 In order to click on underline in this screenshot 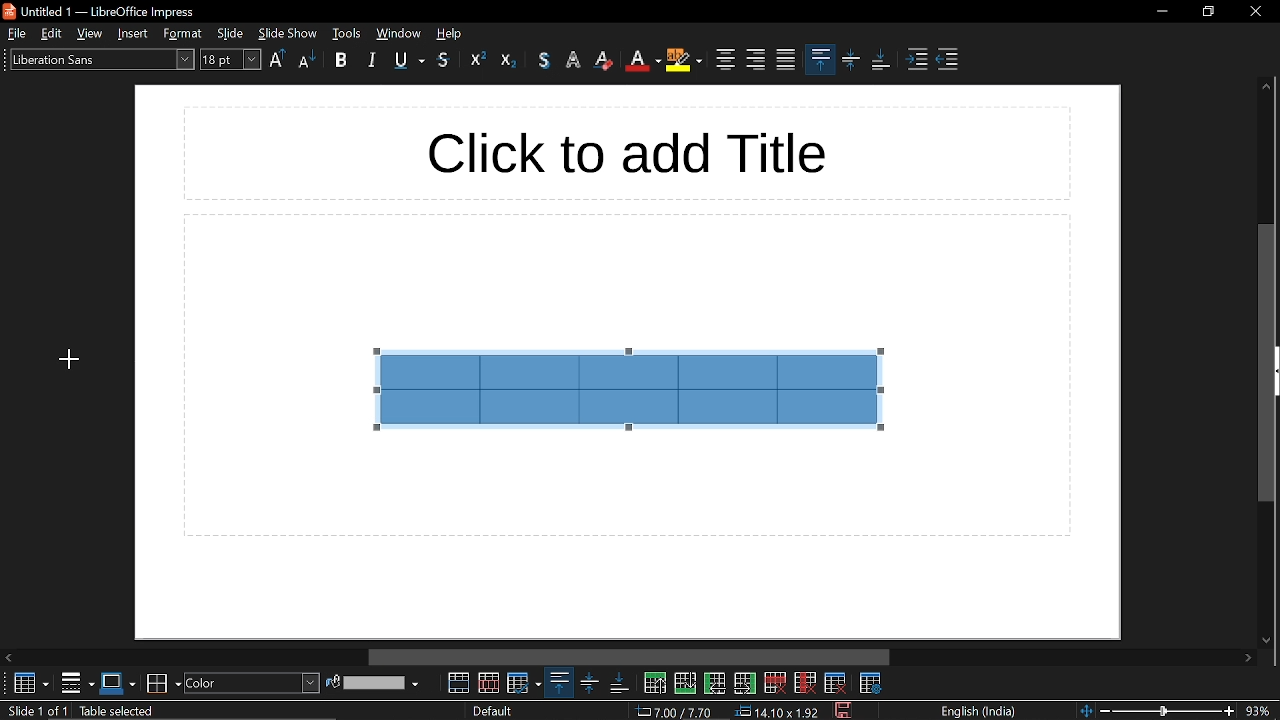, I will do `click(409, 61)`.